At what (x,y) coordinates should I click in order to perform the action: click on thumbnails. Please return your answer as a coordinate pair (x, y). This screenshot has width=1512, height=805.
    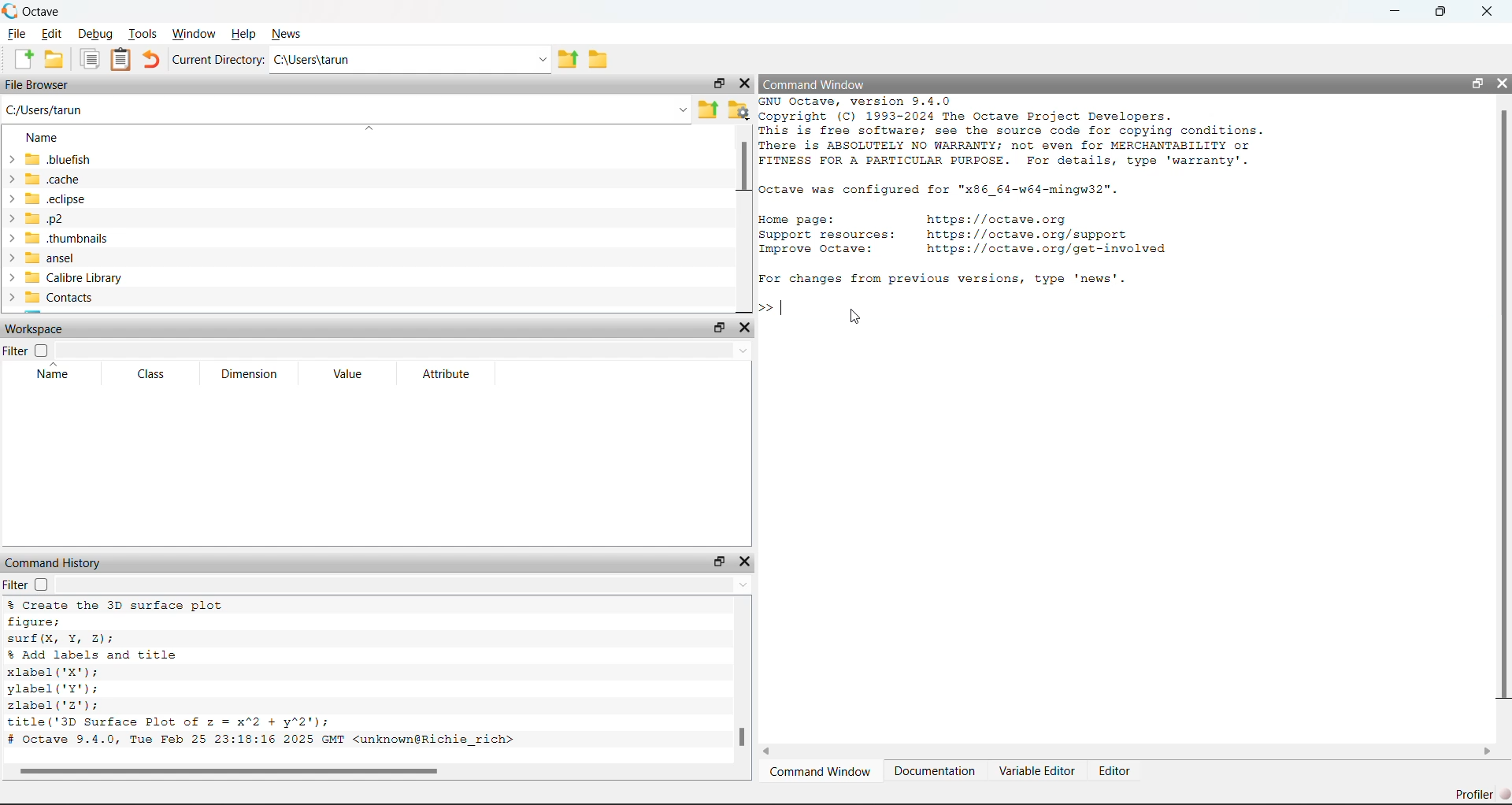
    Looking at the image, I should click on (57, 239).